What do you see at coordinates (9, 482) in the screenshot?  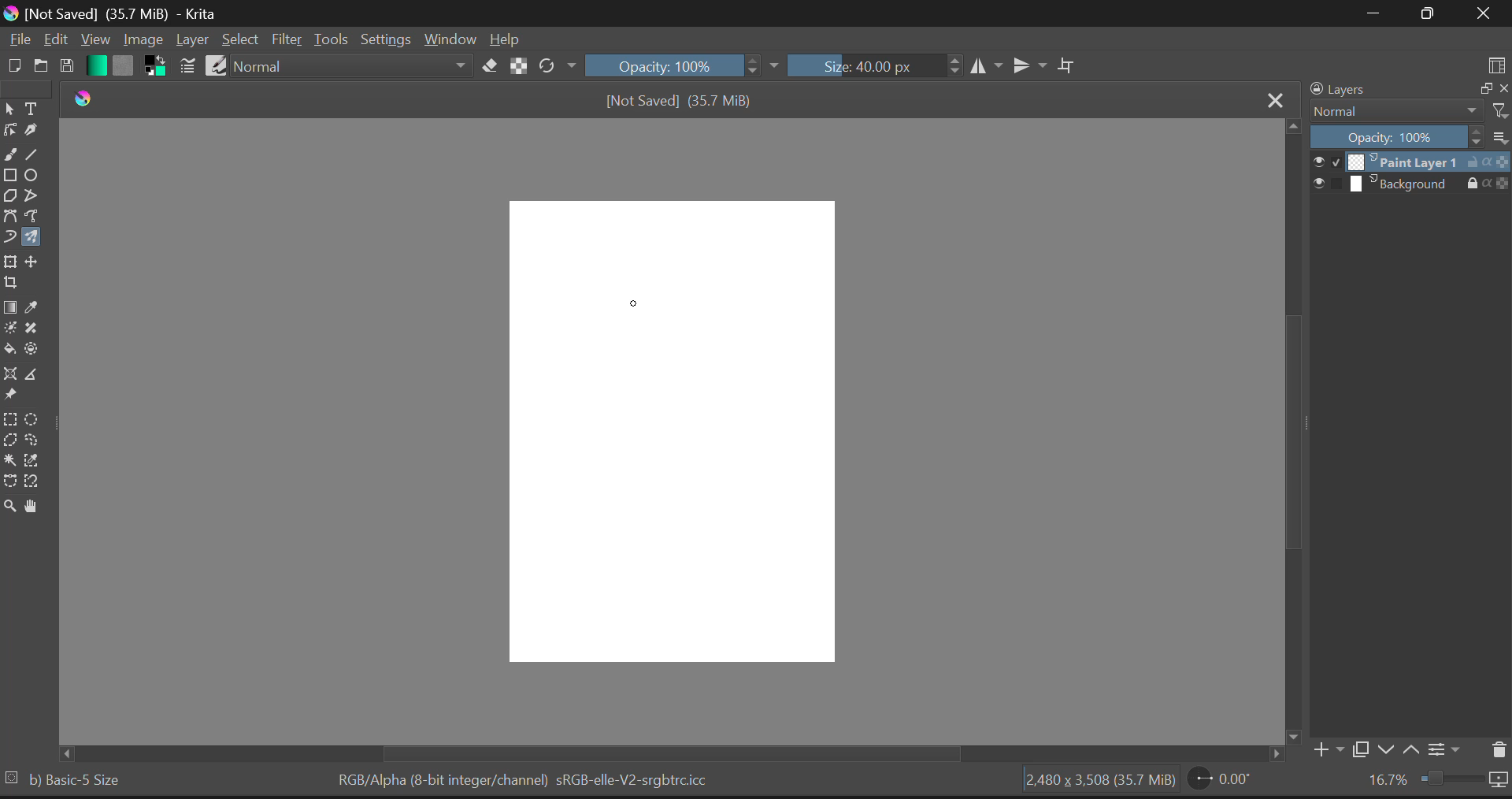 I see `Bezier Curve Selection` at bounding box center [9, 482].